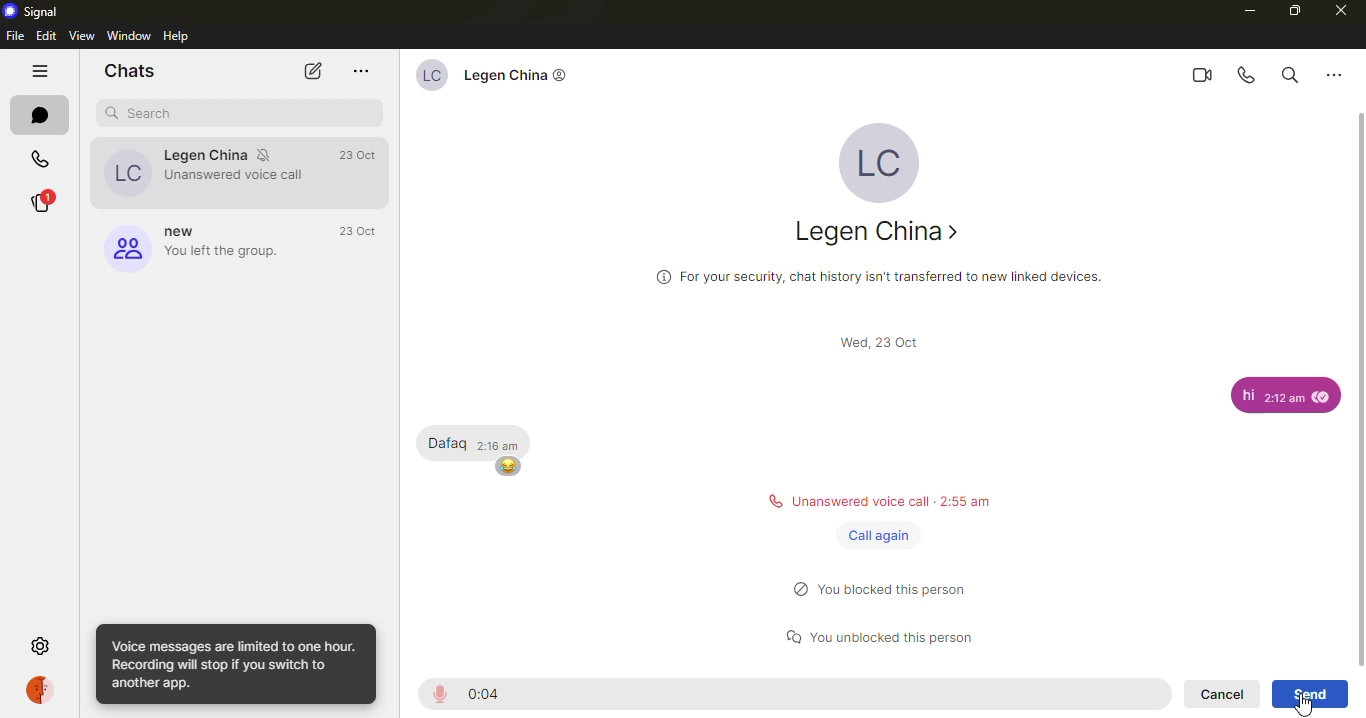 This screenshot has width=1366, height=718. Describe the element at coordinates (236, 664) in the screenshot. I see `info` at that location.